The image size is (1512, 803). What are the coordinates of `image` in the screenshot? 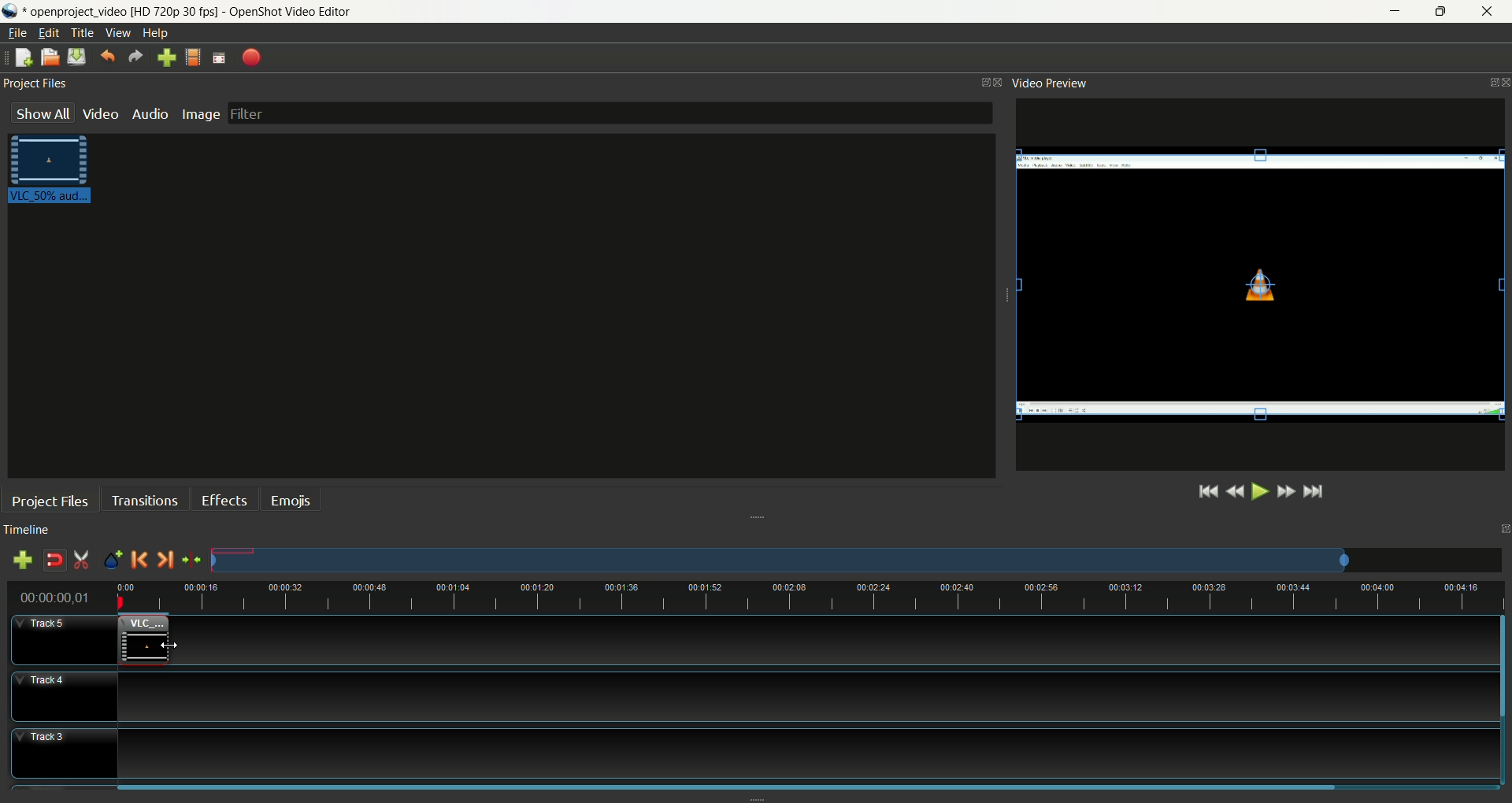 It's located at (202, 115).